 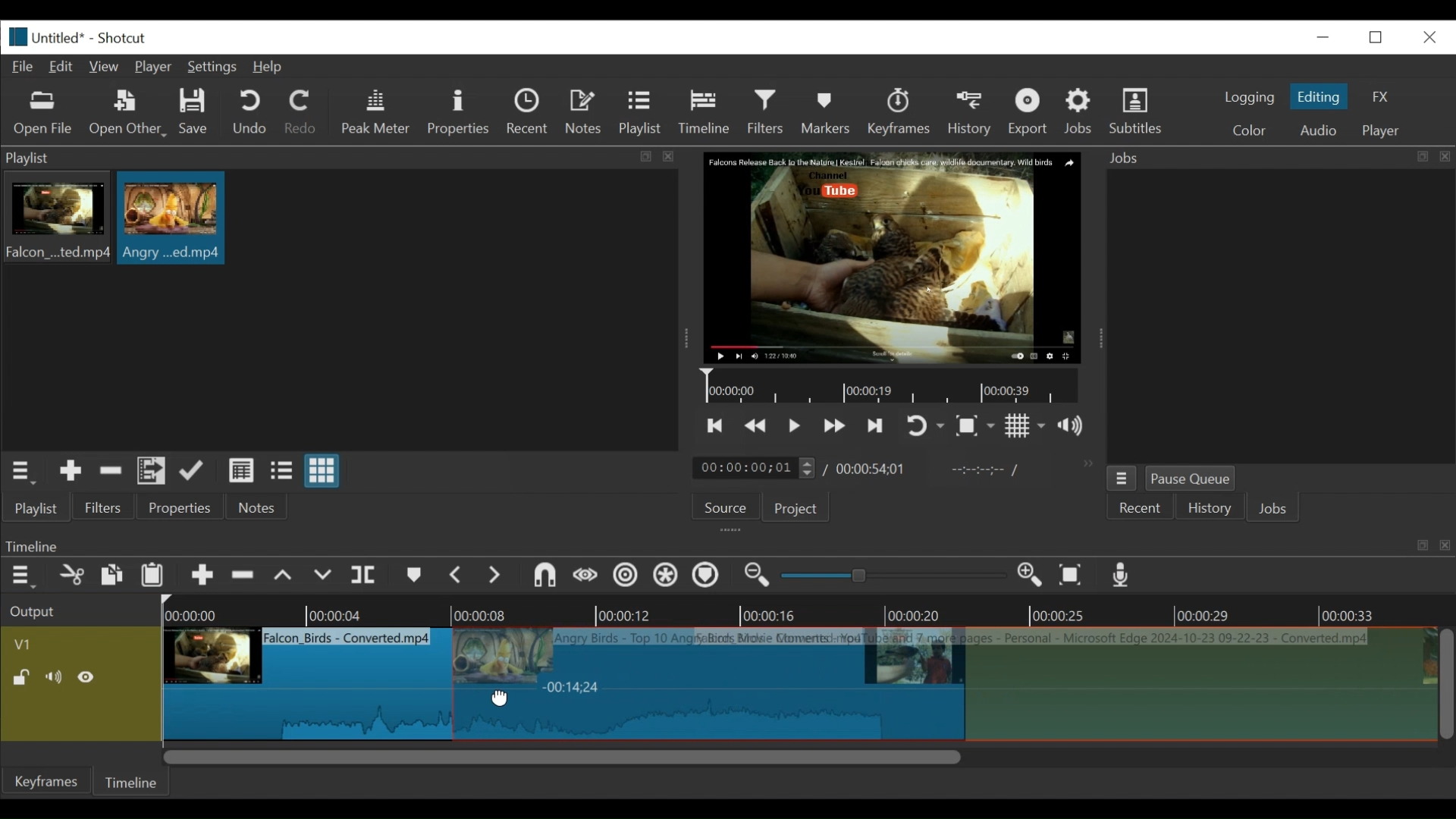 What do you see at coordinates (252, 113) in the screenshot?
I see `Undo` at bounding box center [252, 113].